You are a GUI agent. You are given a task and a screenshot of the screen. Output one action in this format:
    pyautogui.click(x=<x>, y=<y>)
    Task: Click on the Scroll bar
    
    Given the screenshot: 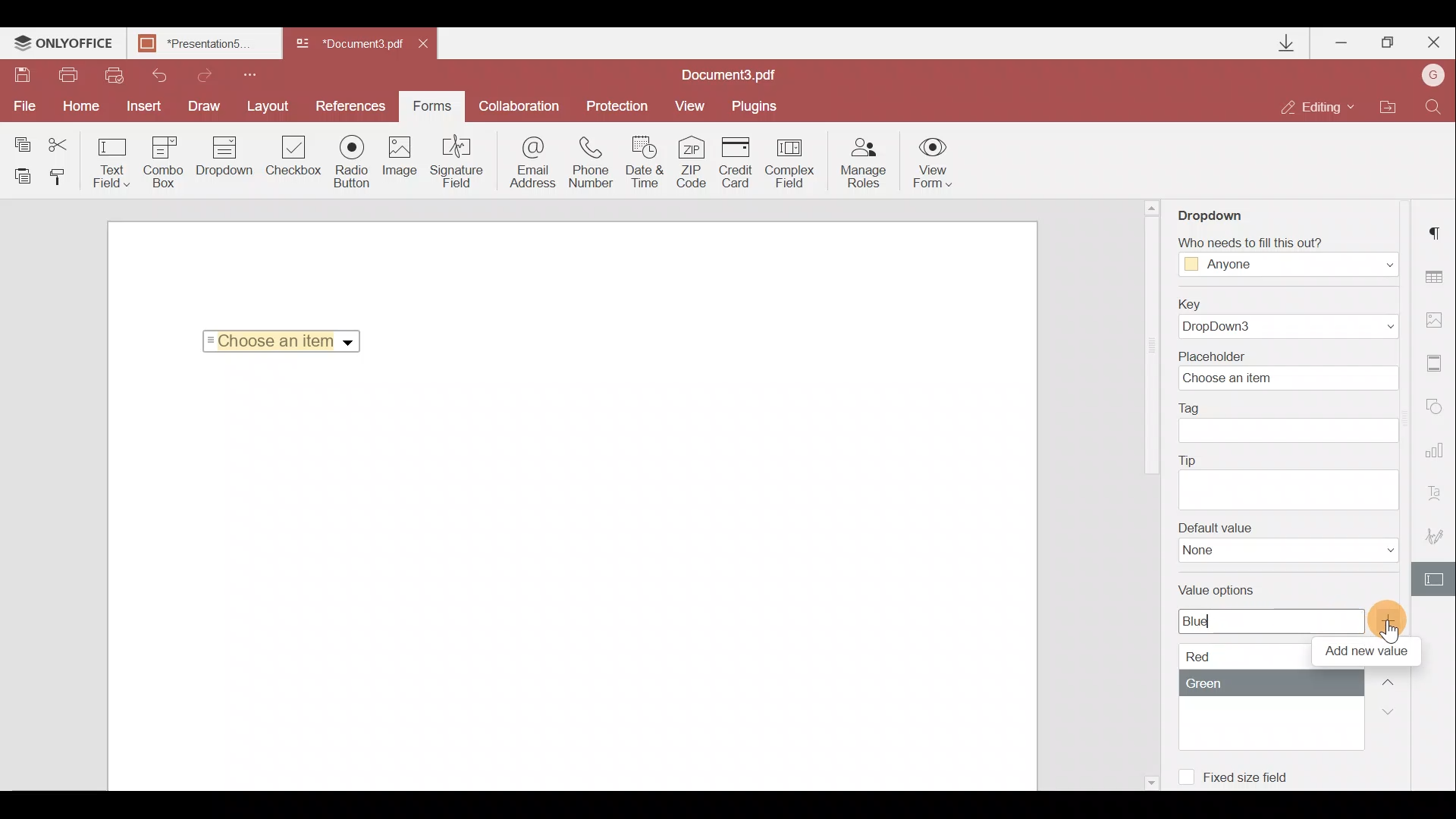 What is the action you would take?
    pyautogui.click(x=1150, y=350)
    